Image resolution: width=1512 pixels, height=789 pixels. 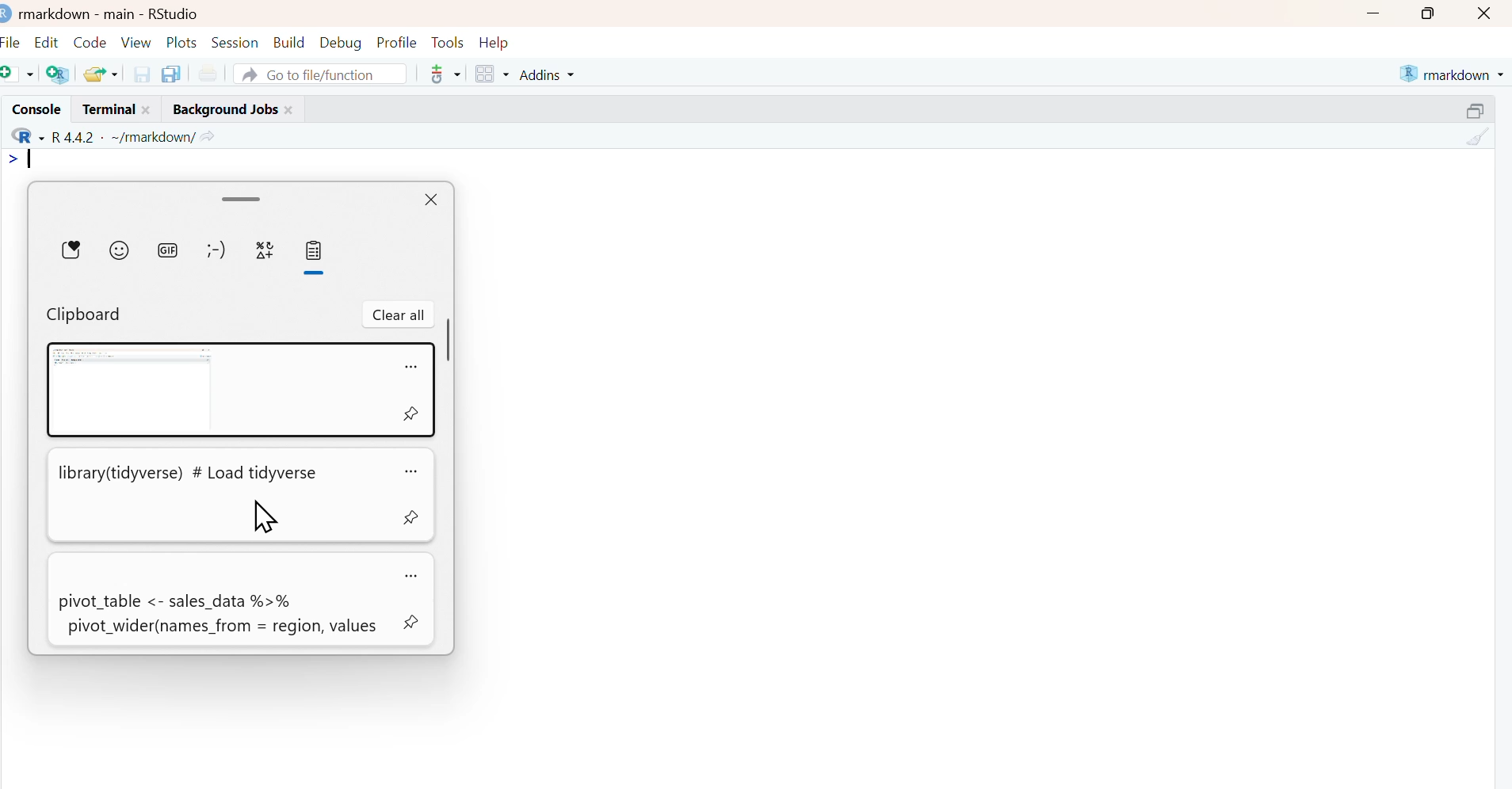 I want to click on symbols, so click(x=269, y=253).